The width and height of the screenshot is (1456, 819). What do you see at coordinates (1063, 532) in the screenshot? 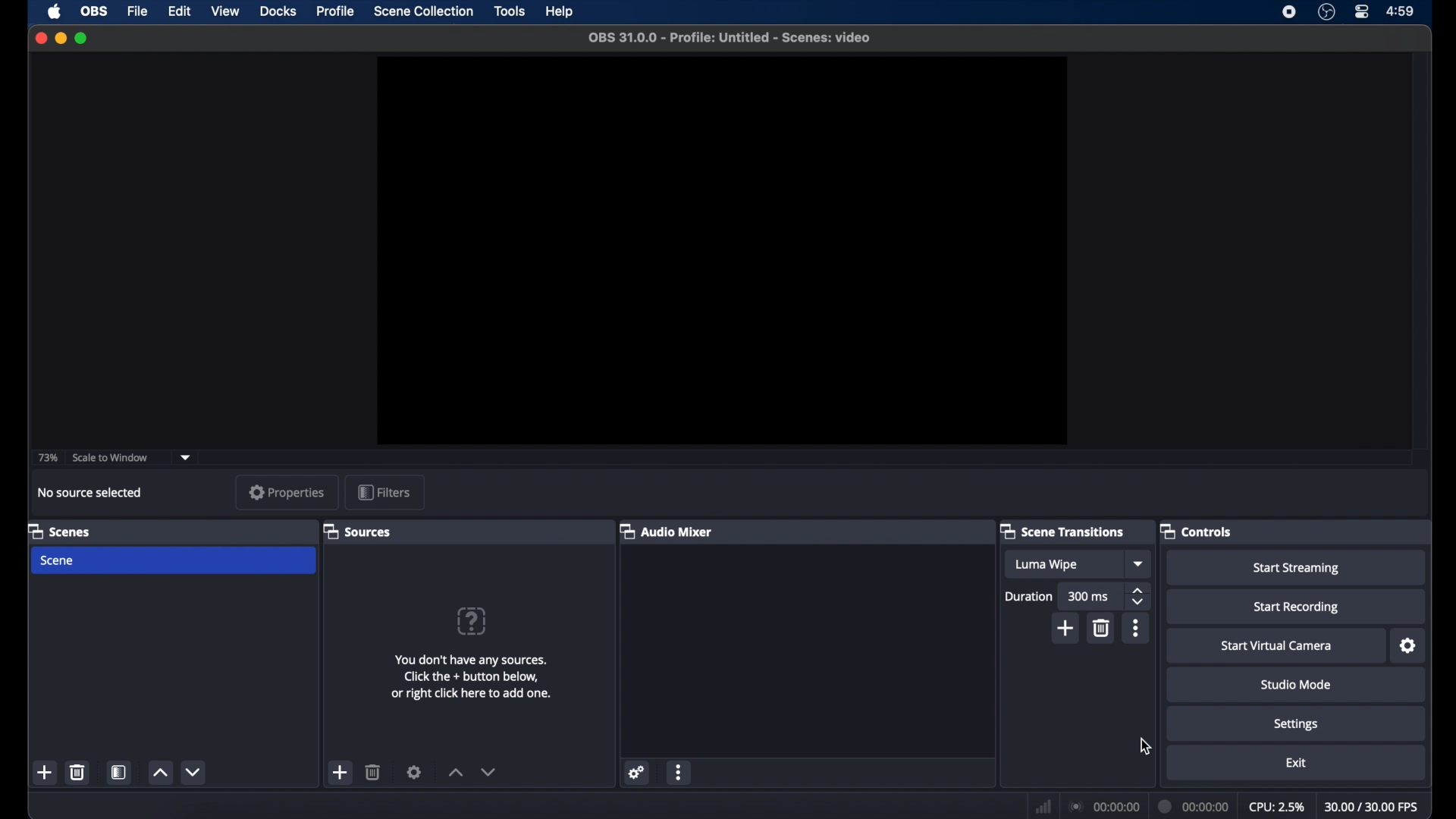
I see `scene transitions` at bounding box center [1063, 532].